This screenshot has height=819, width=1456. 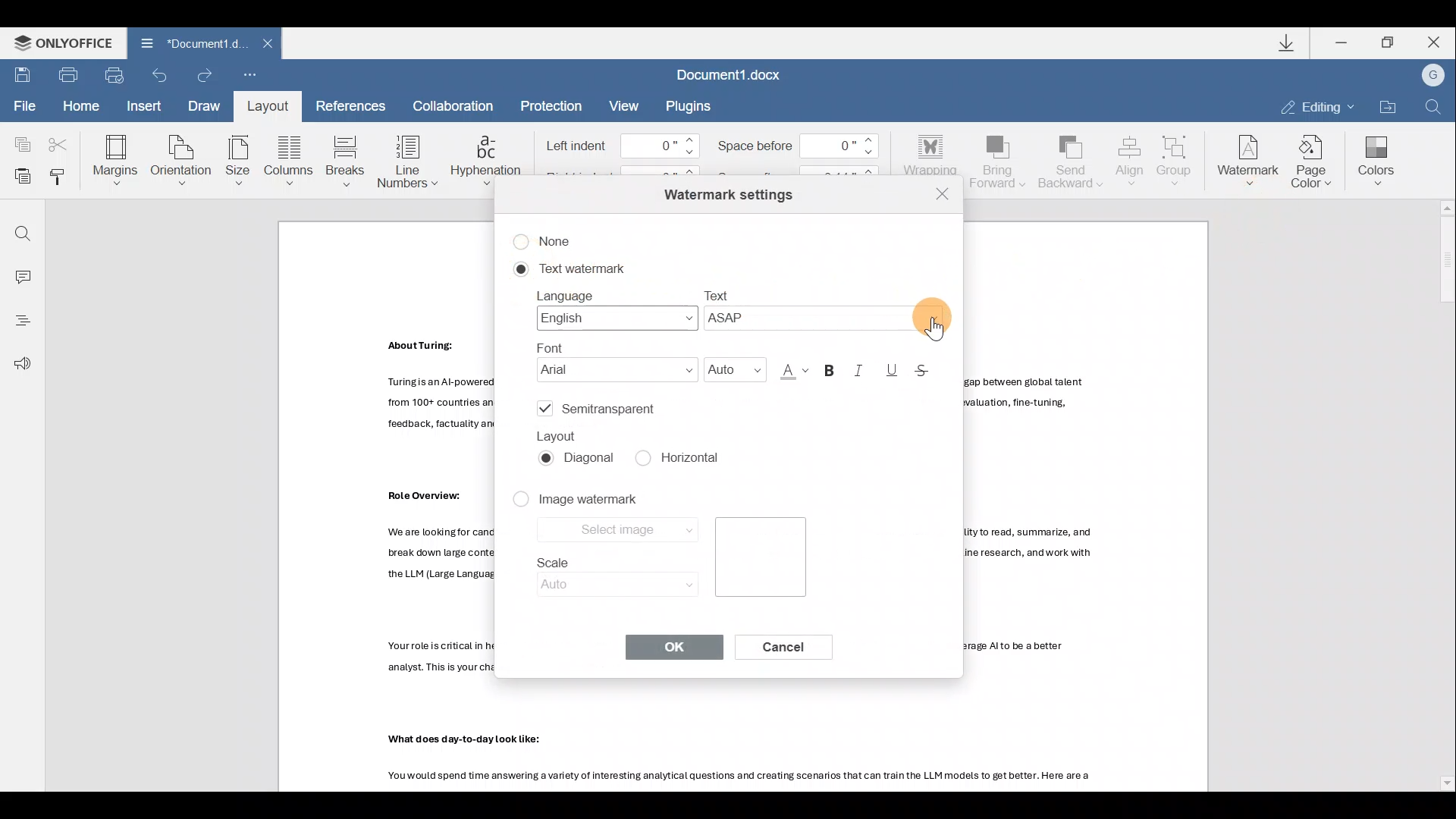 What do you see at coordinates (1432, 42) in the screenshot?
I see `Close` at bounding box center [1432, 42].